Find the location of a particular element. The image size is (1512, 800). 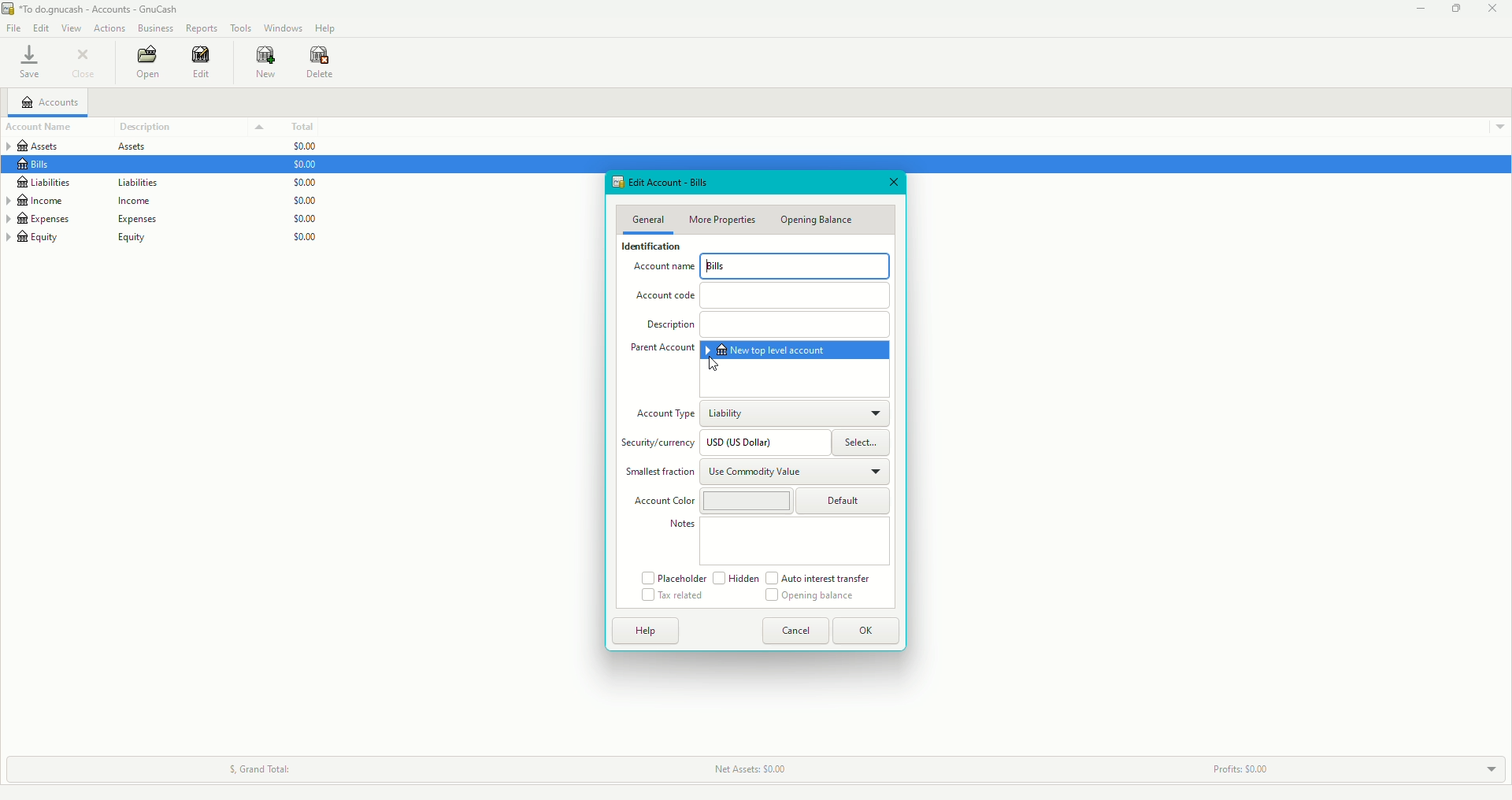

Account Name is located at coordinates (662, 269).